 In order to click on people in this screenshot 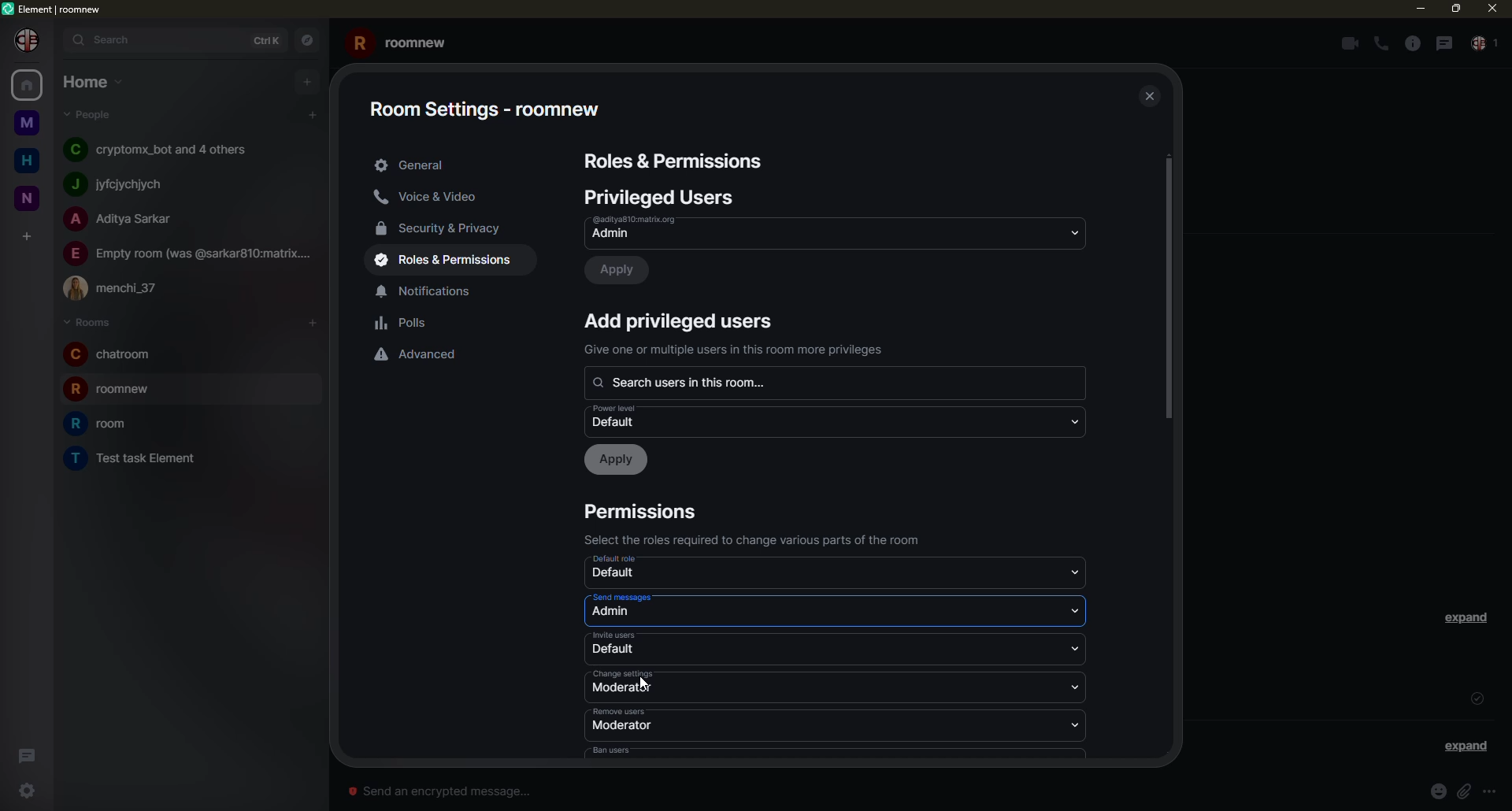, I will do `click(190, 252)`.